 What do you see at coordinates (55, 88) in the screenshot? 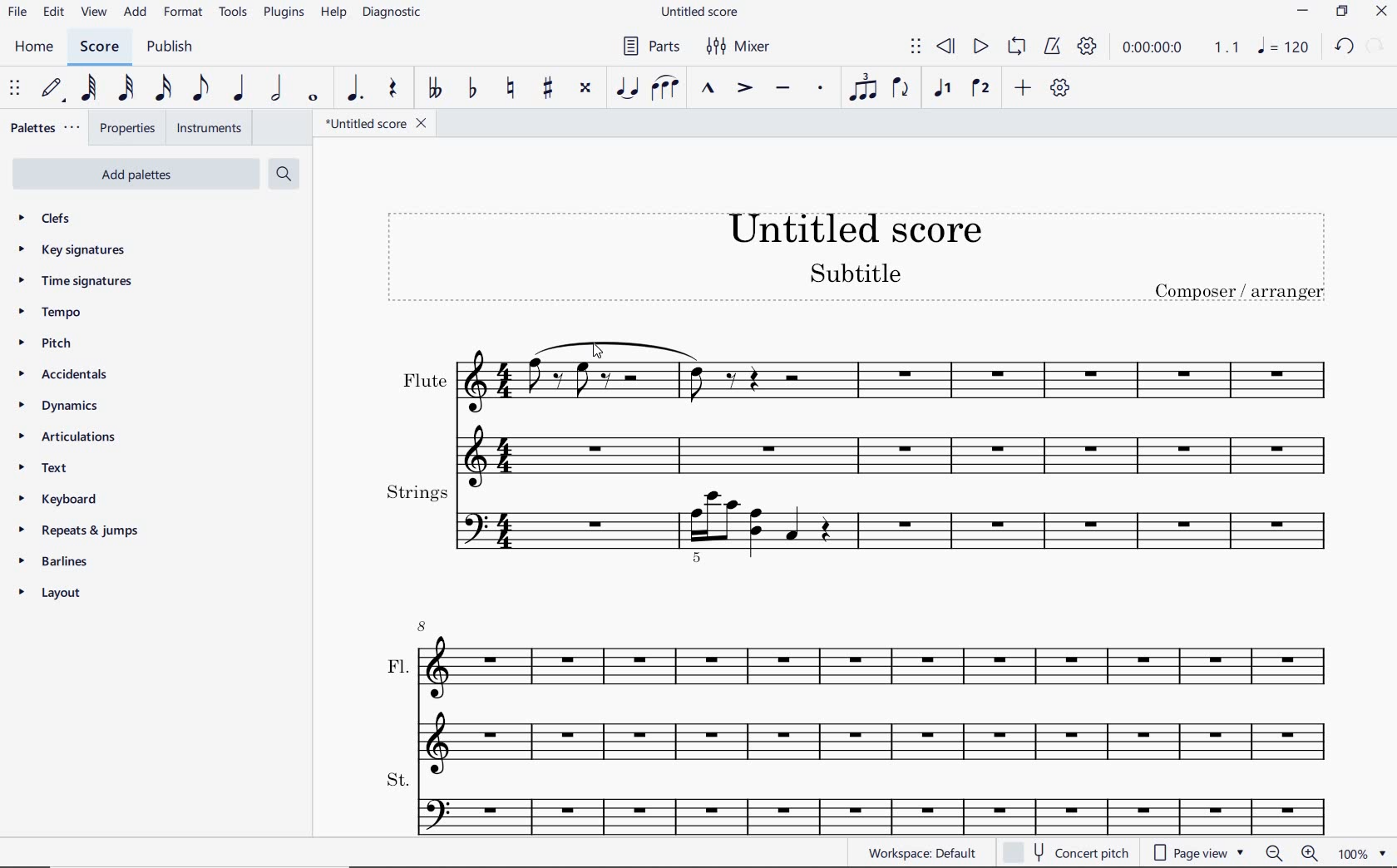
I see `DEFAULT (STEP TIME)` at bounding box center [55, 88].